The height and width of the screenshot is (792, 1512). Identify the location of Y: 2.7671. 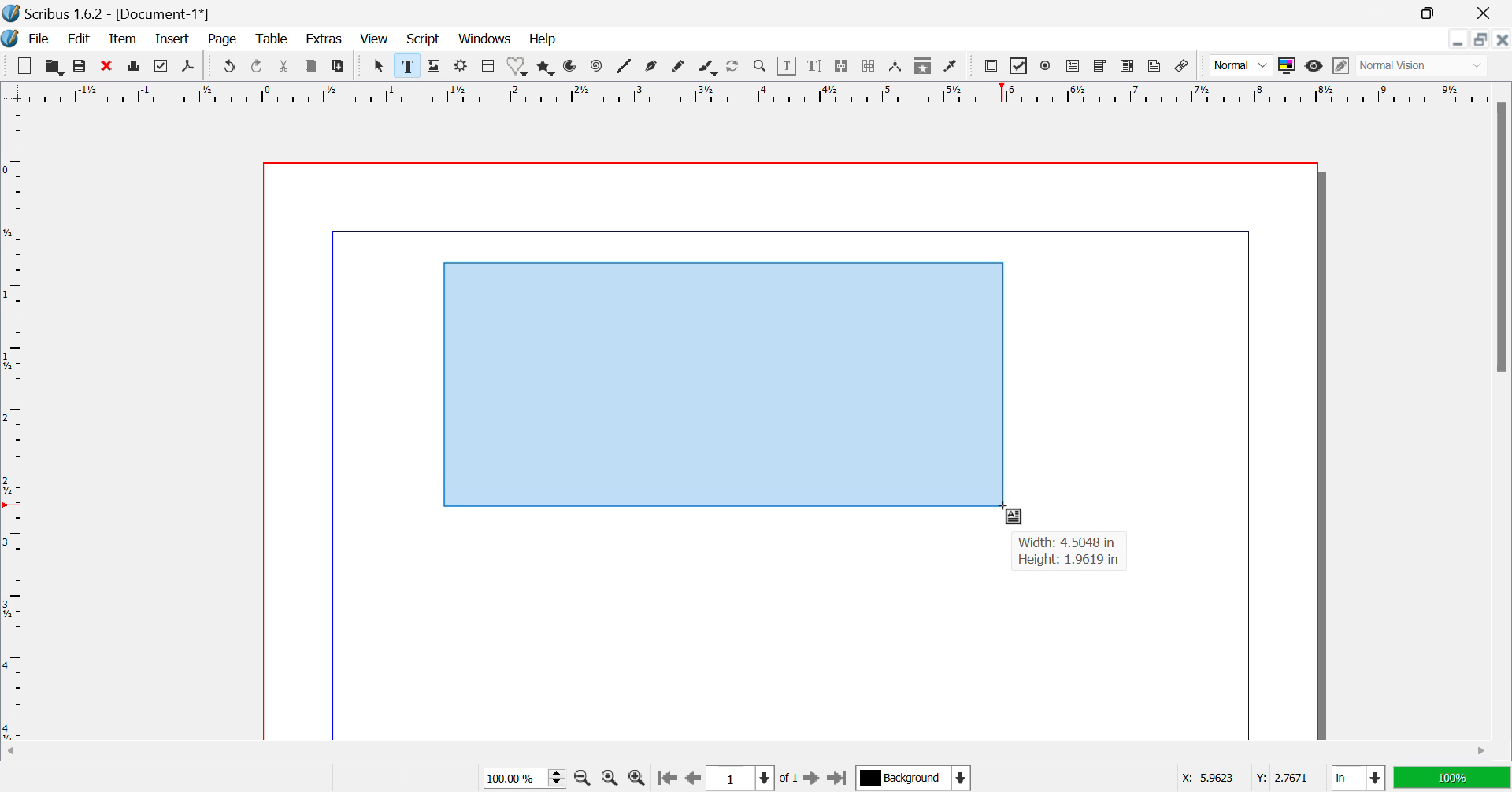
(1281, 775).